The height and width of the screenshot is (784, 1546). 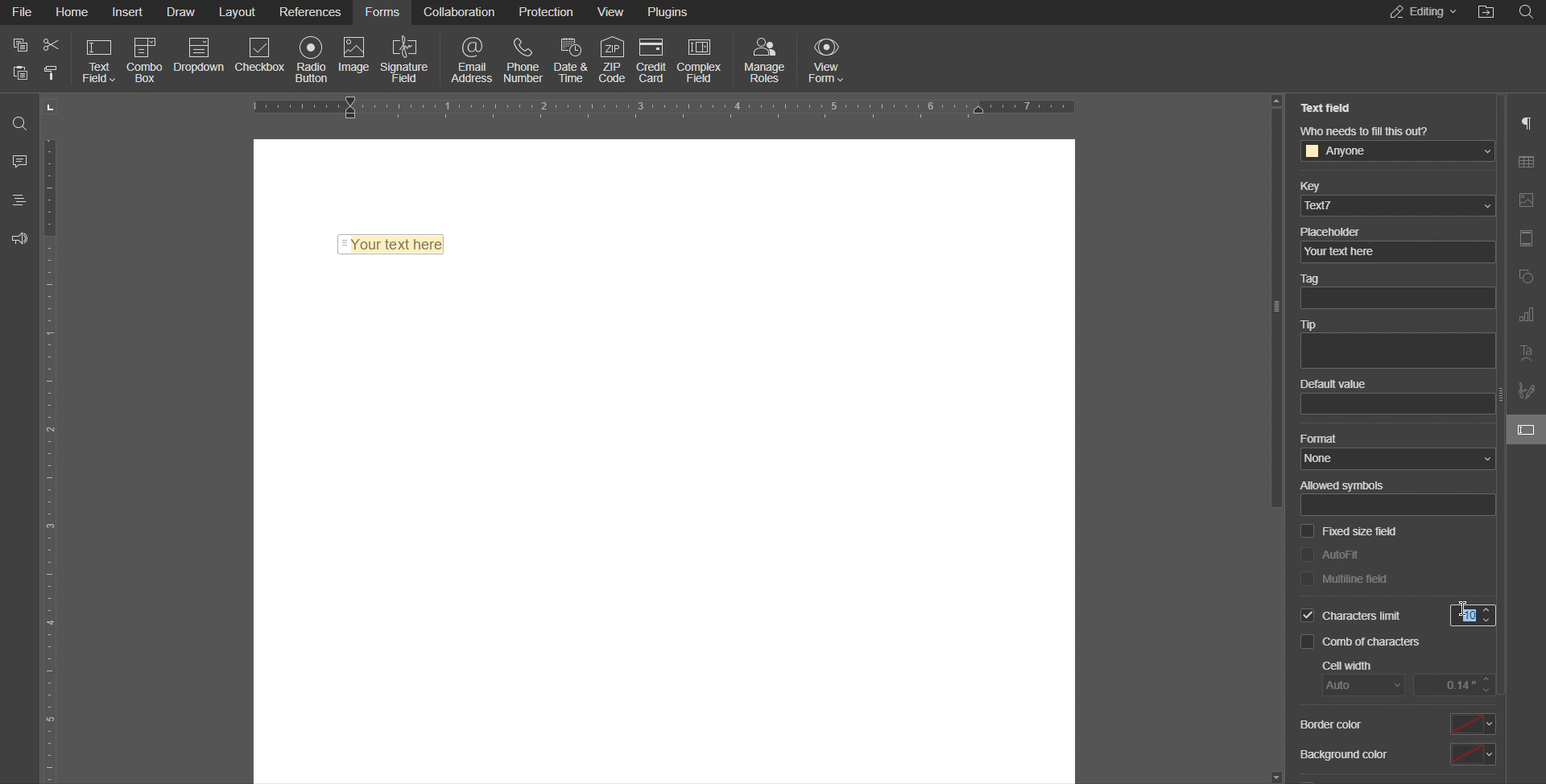 What do you see at coordinates (72, 12) in the screenshot?
I see `Home` at bounding box center [72, 12].